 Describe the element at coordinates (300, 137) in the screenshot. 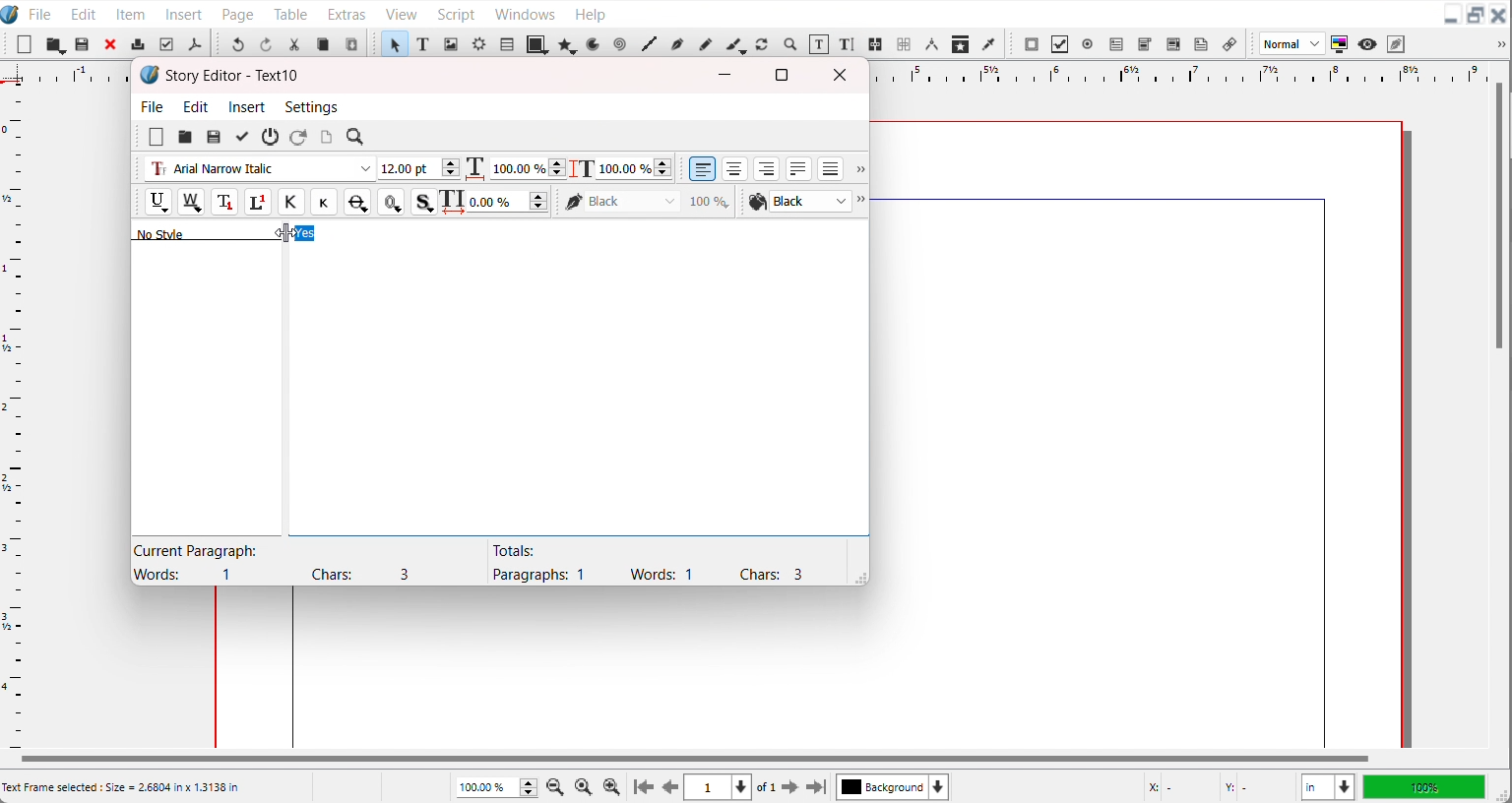

I see `Reload from the text frame` at that location.